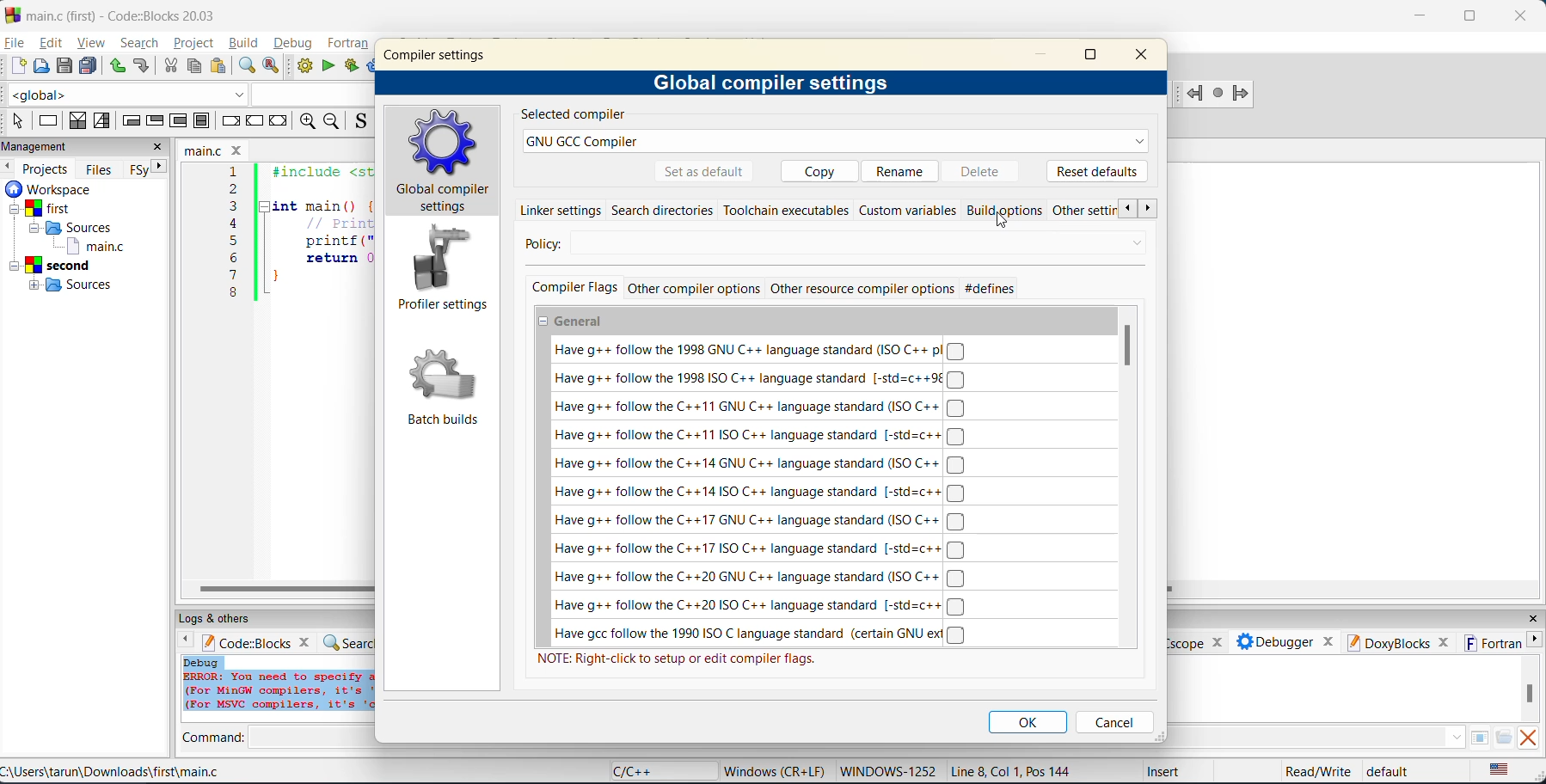 This screenshot has height=784, width=1546. Describe the element at coordinates (758, 378) in the screenshot. I see `Have g++ follow the 1998 ISO C++ language standard [-std=c++9E` at that location.